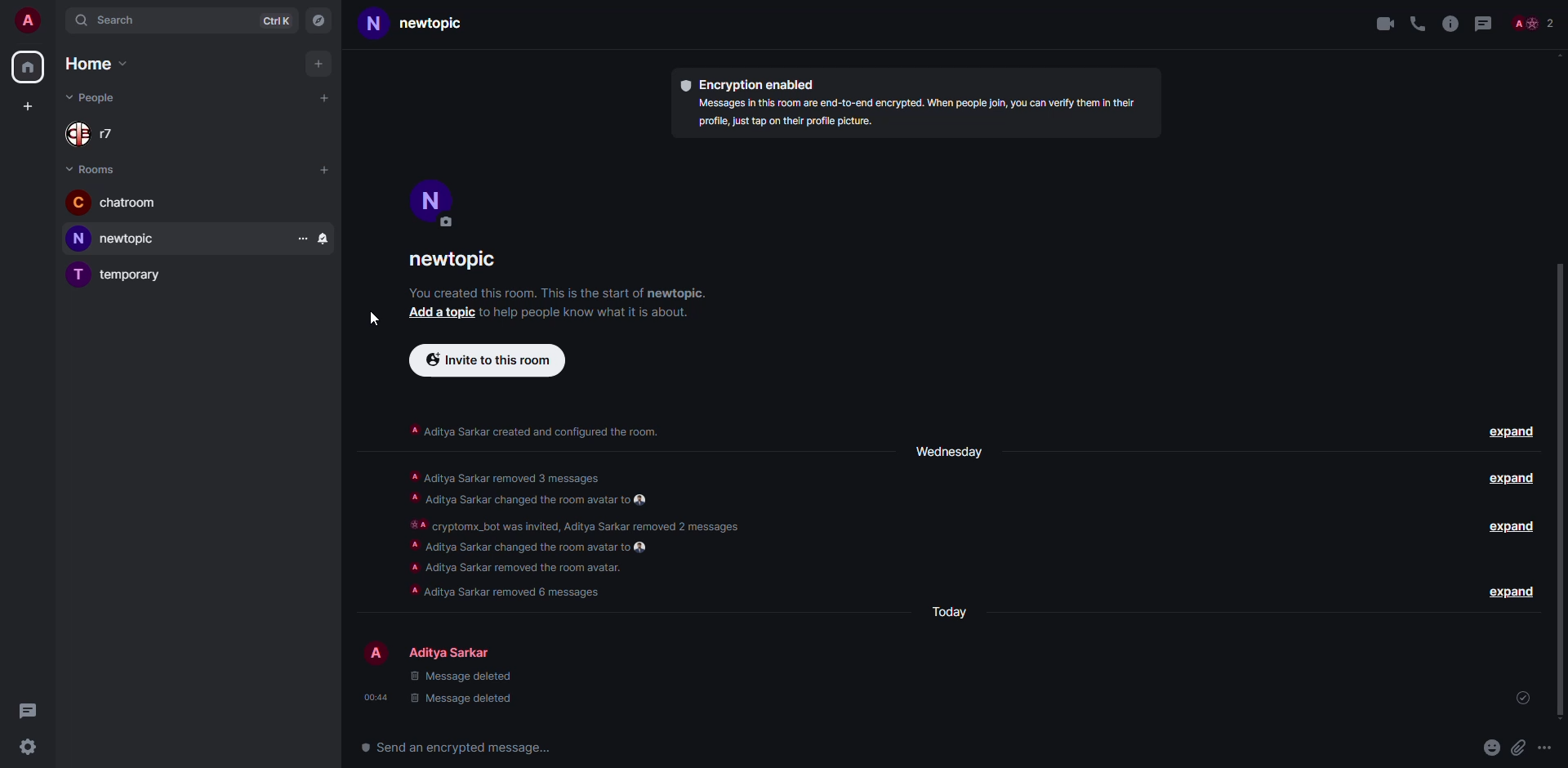 The height and width of the screenshot is (768, 1568). What do you see at coordinates (452, 654) in the screenshot?
I see `people` at bounding box center [452, 654].